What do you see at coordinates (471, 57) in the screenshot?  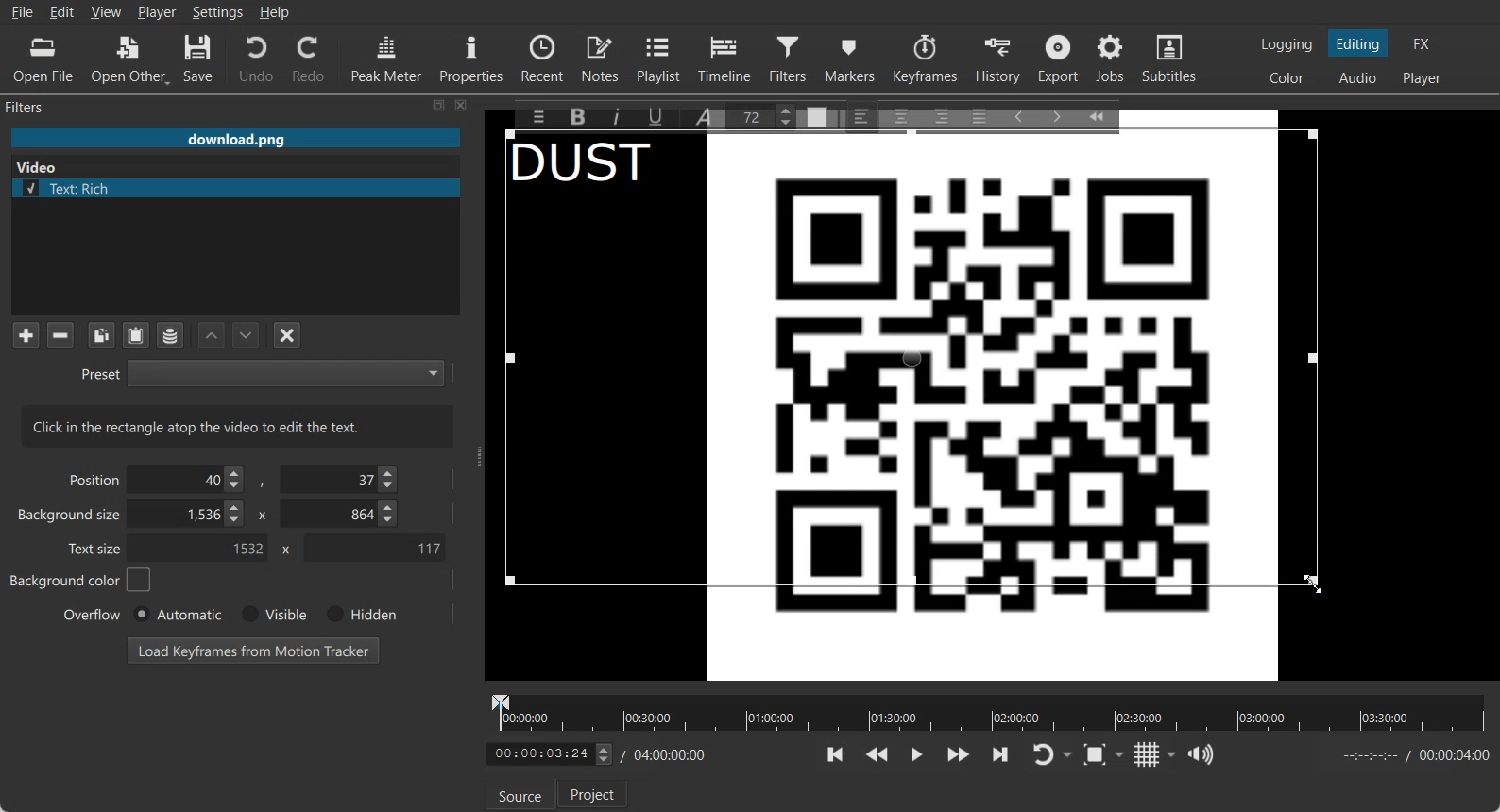 I see `Properties` at bounding box center [471, 57].